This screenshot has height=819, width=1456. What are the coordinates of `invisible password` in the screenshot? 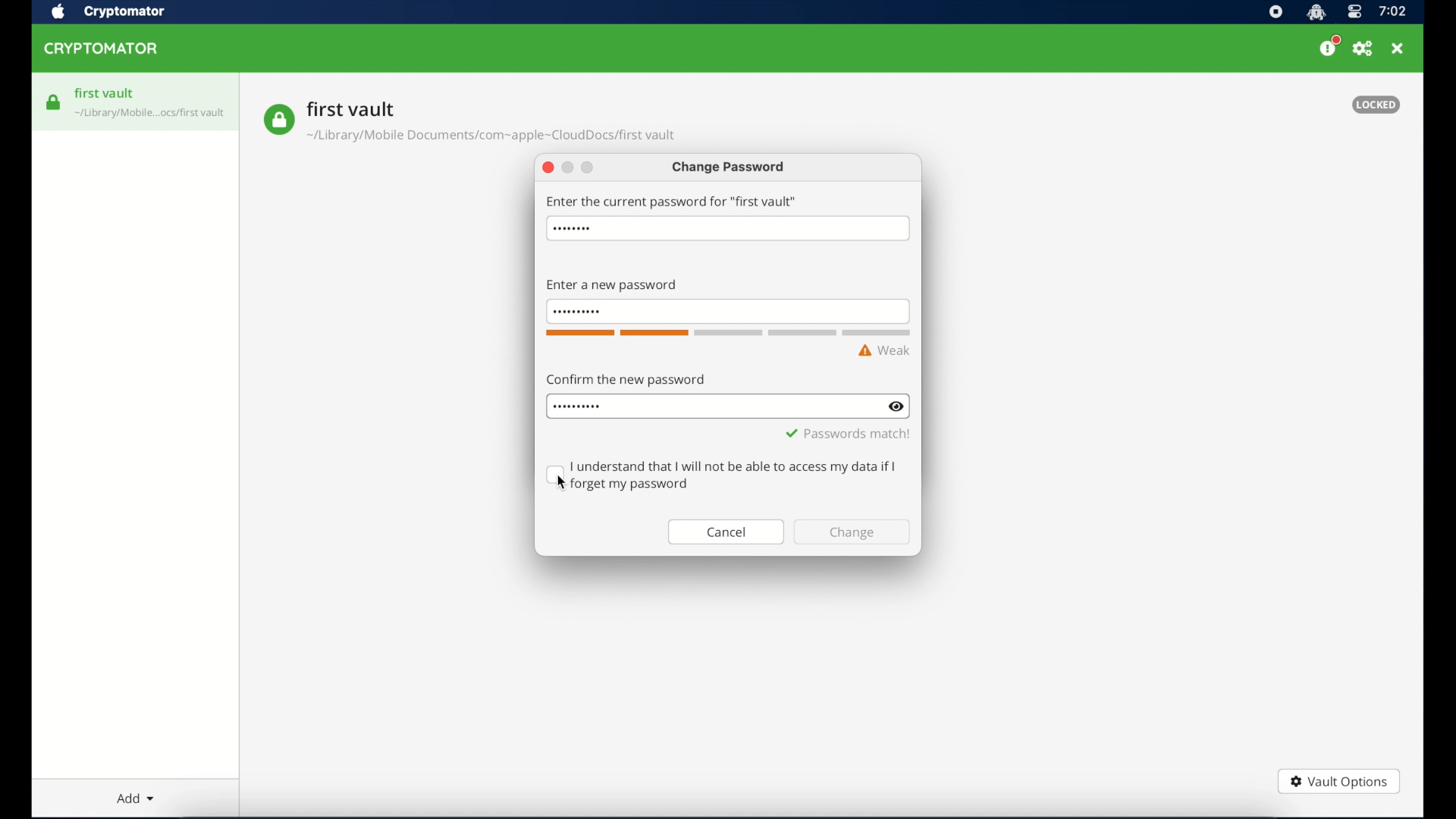 It's located at (577, 407).